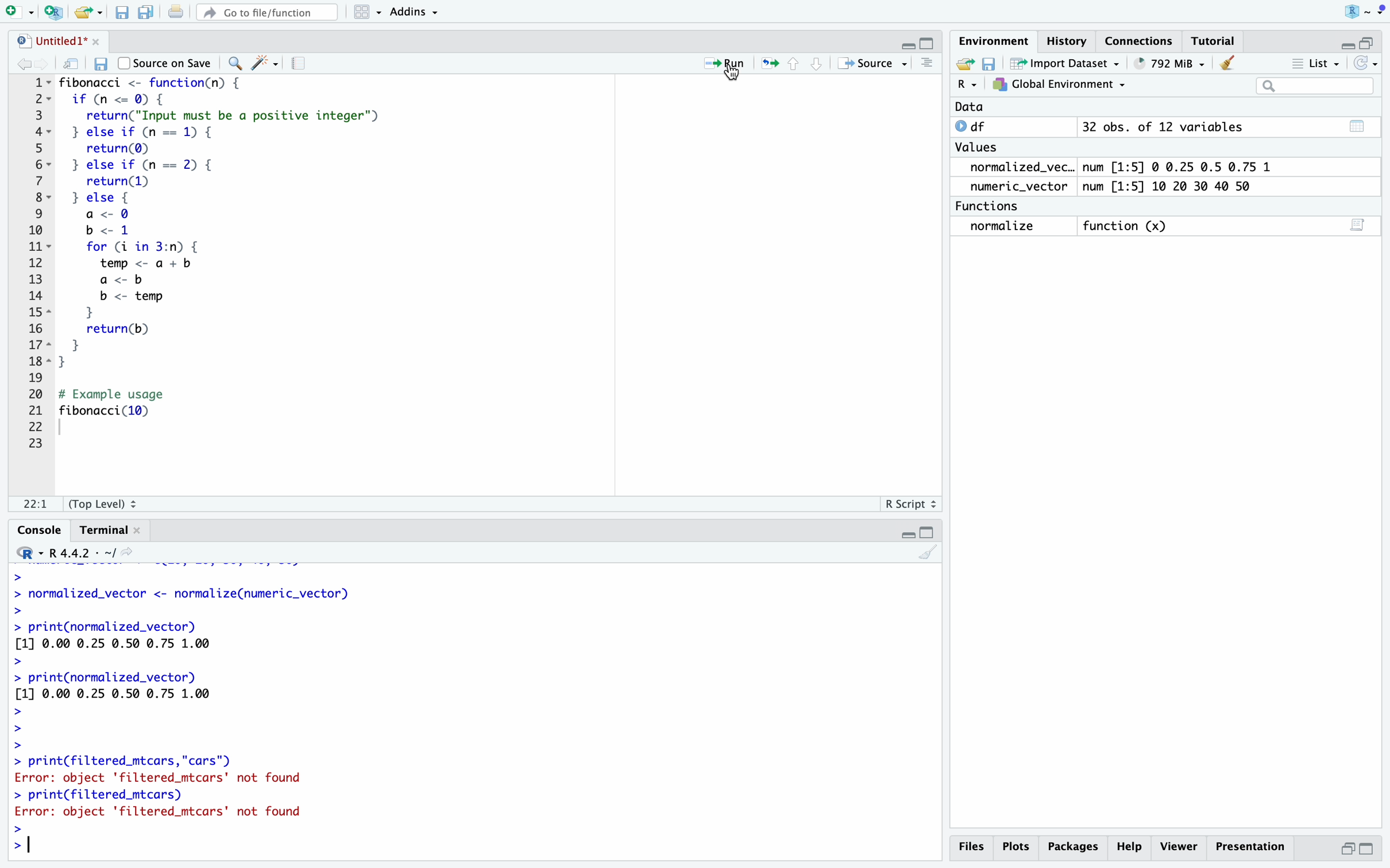 The image size is (1390, 868). I want to click on normalize, so click(1001, 227).